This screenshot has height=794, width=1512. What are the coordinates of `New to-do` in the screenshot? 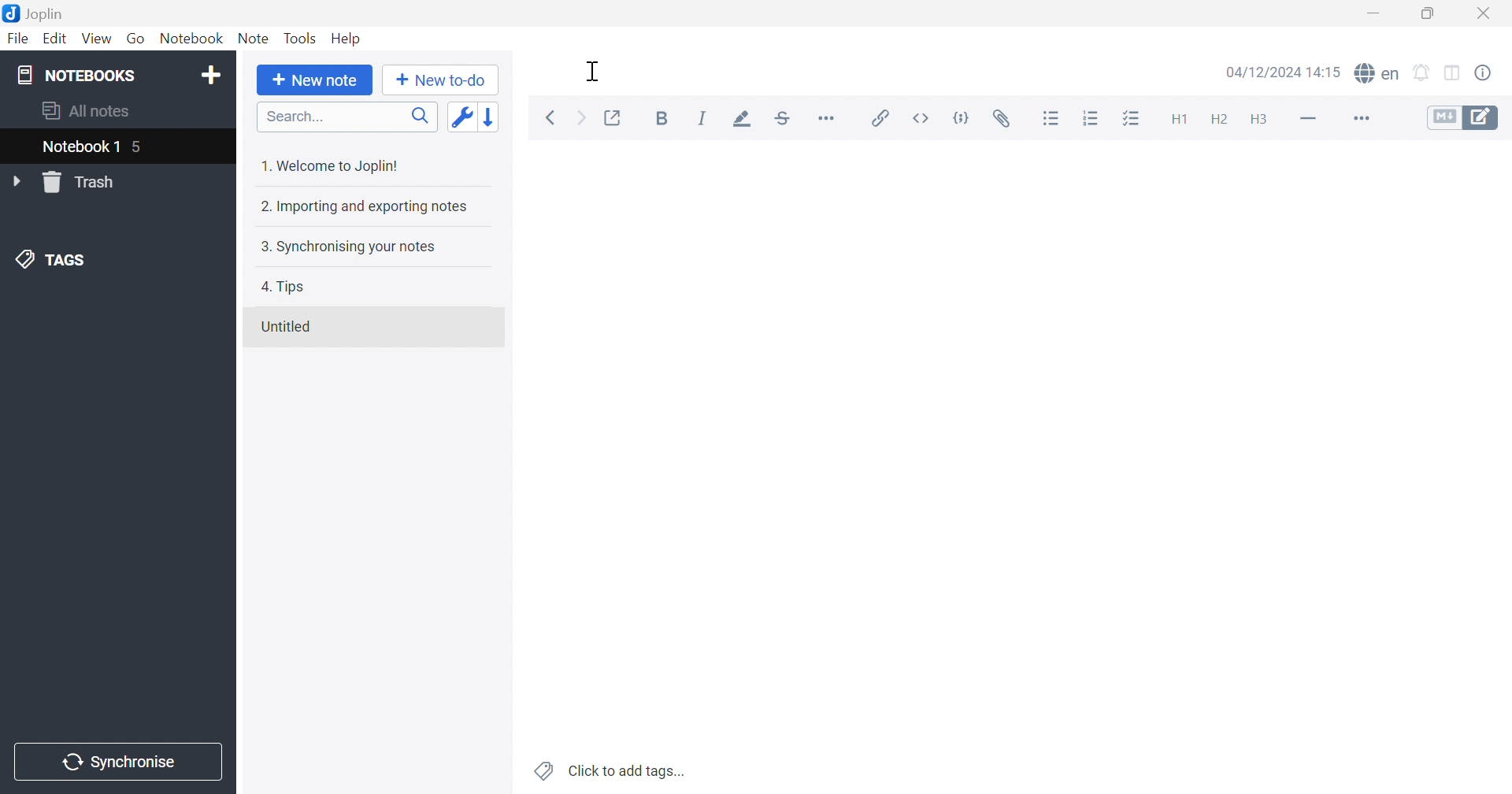 It's located at (439, 80).